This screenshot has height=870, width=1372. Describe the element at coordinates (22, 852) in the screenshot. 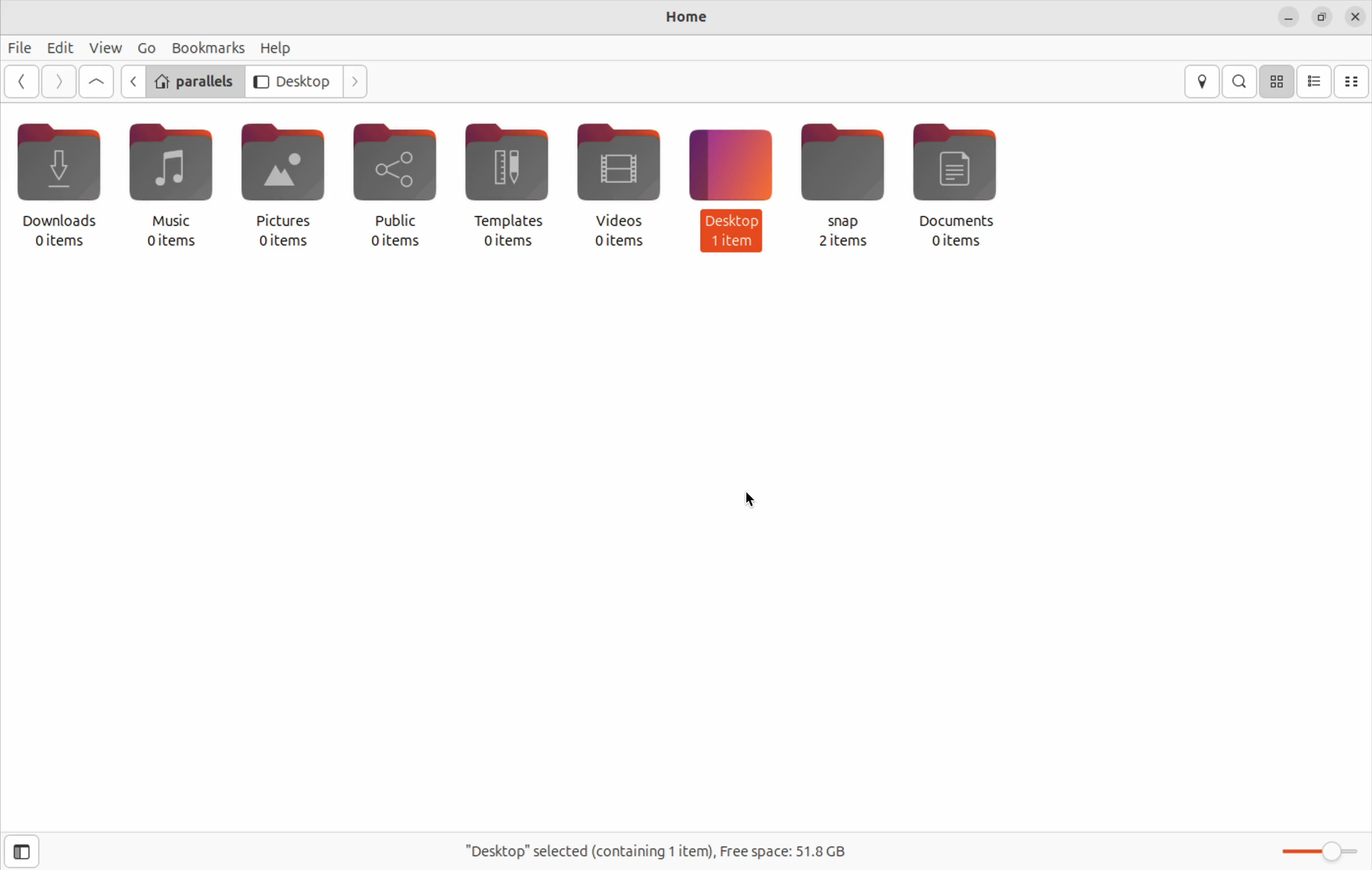

I see `show side bar` at that location.